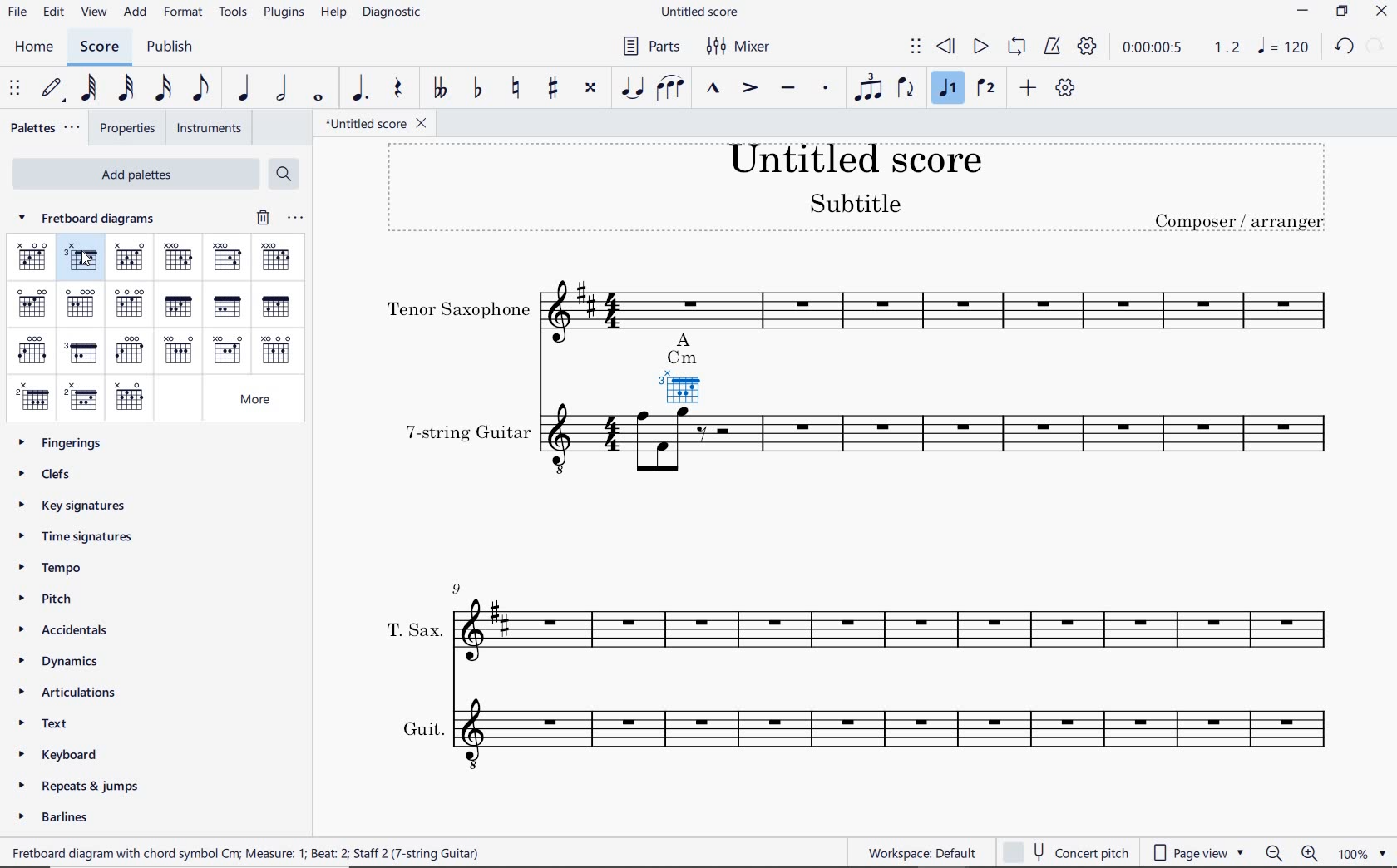  What do you see at coordinates (1361, 851) in the screenshot?
I see `zoom factor` at bounding box center [1361, 851].